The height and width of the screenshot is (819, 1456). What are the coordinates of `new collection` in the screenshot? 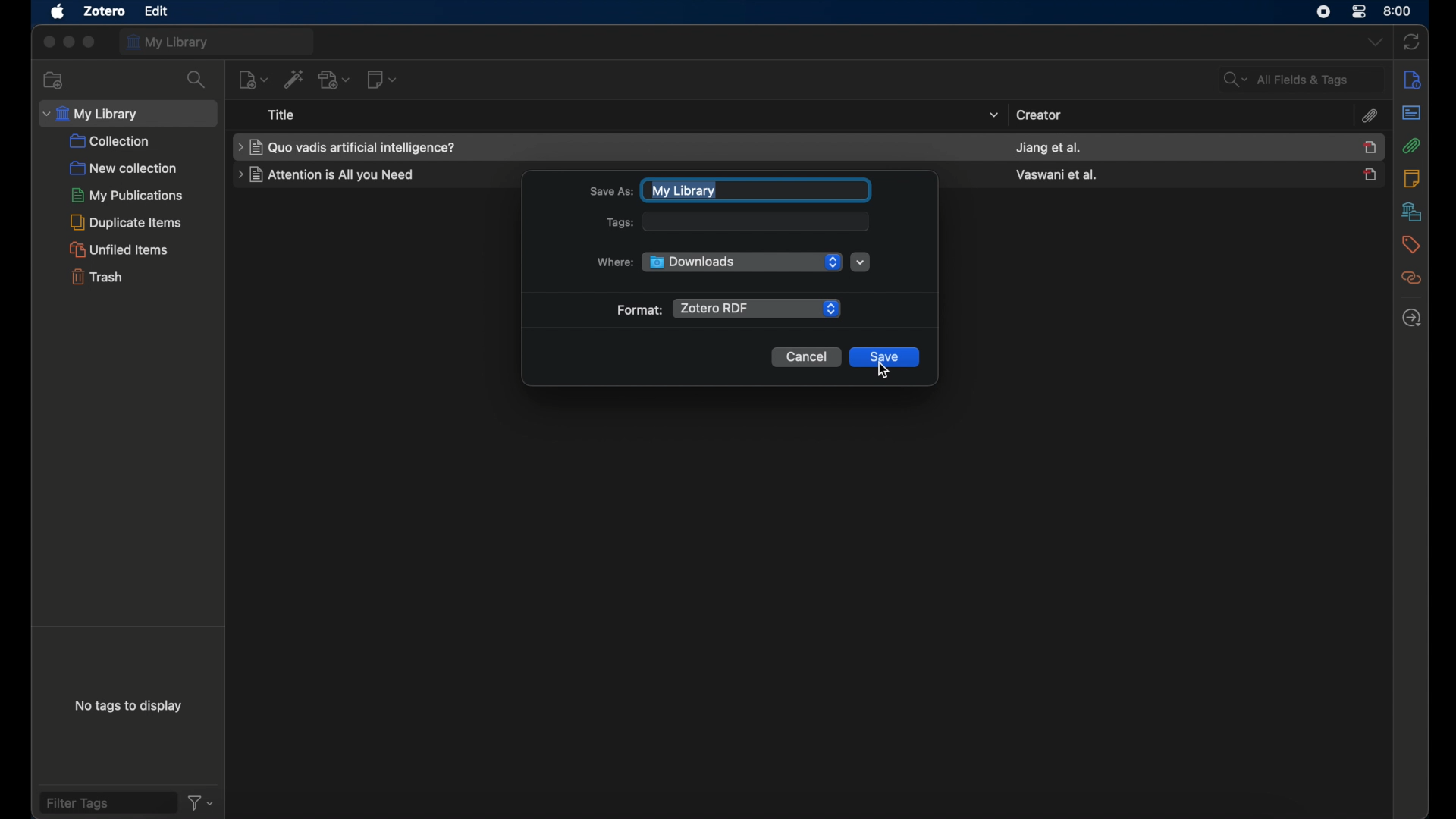 It's located at (55, 80).